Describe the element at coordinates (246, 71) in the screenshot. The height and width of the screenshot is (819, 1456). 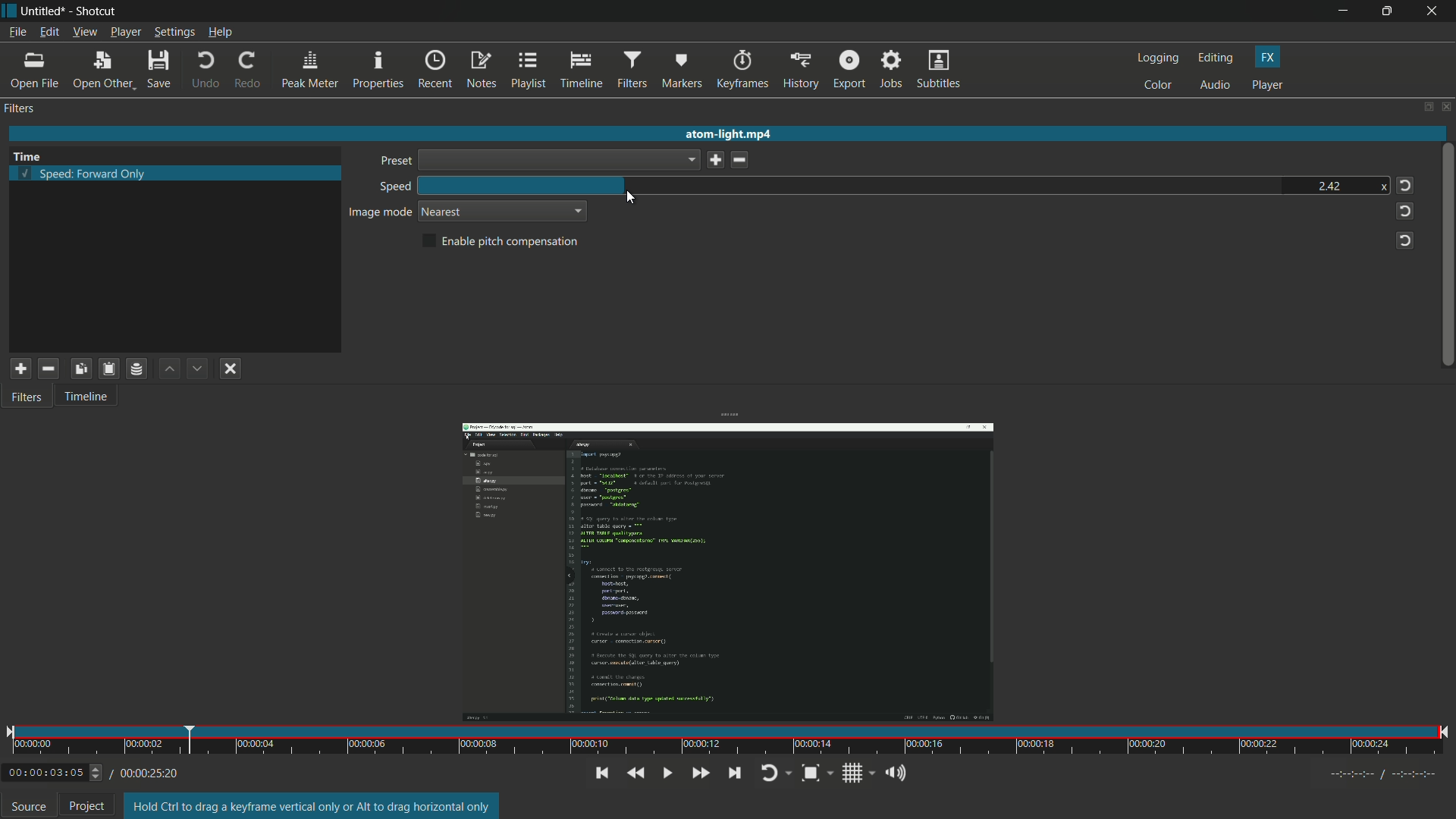
I see `redo` at that location.